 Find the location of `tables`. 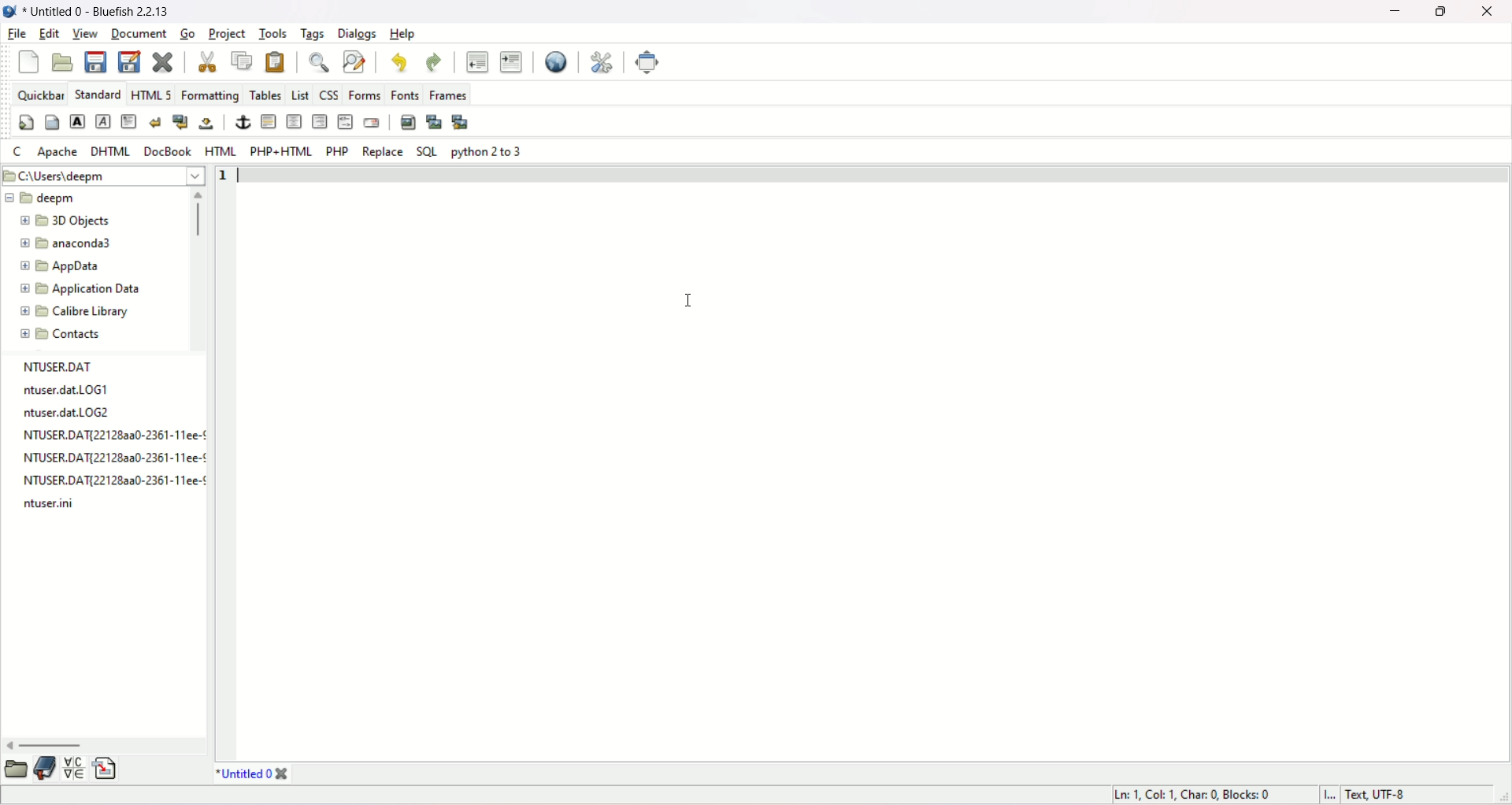

tables is located at coordinates (265, 95).